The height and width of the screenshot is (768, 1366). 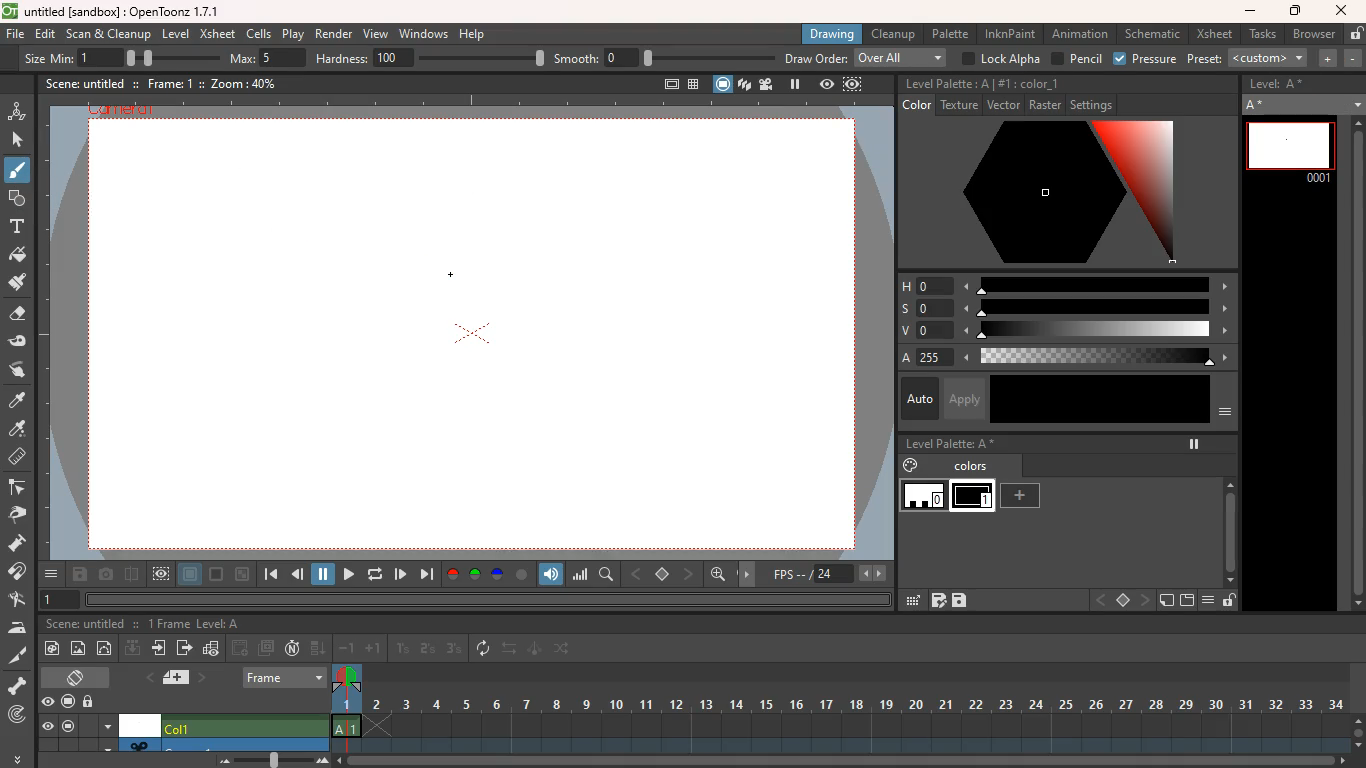 What do you see at coordinates (908, 466) in the screenshot?
I see `paint` at bounding box center [908, 466].